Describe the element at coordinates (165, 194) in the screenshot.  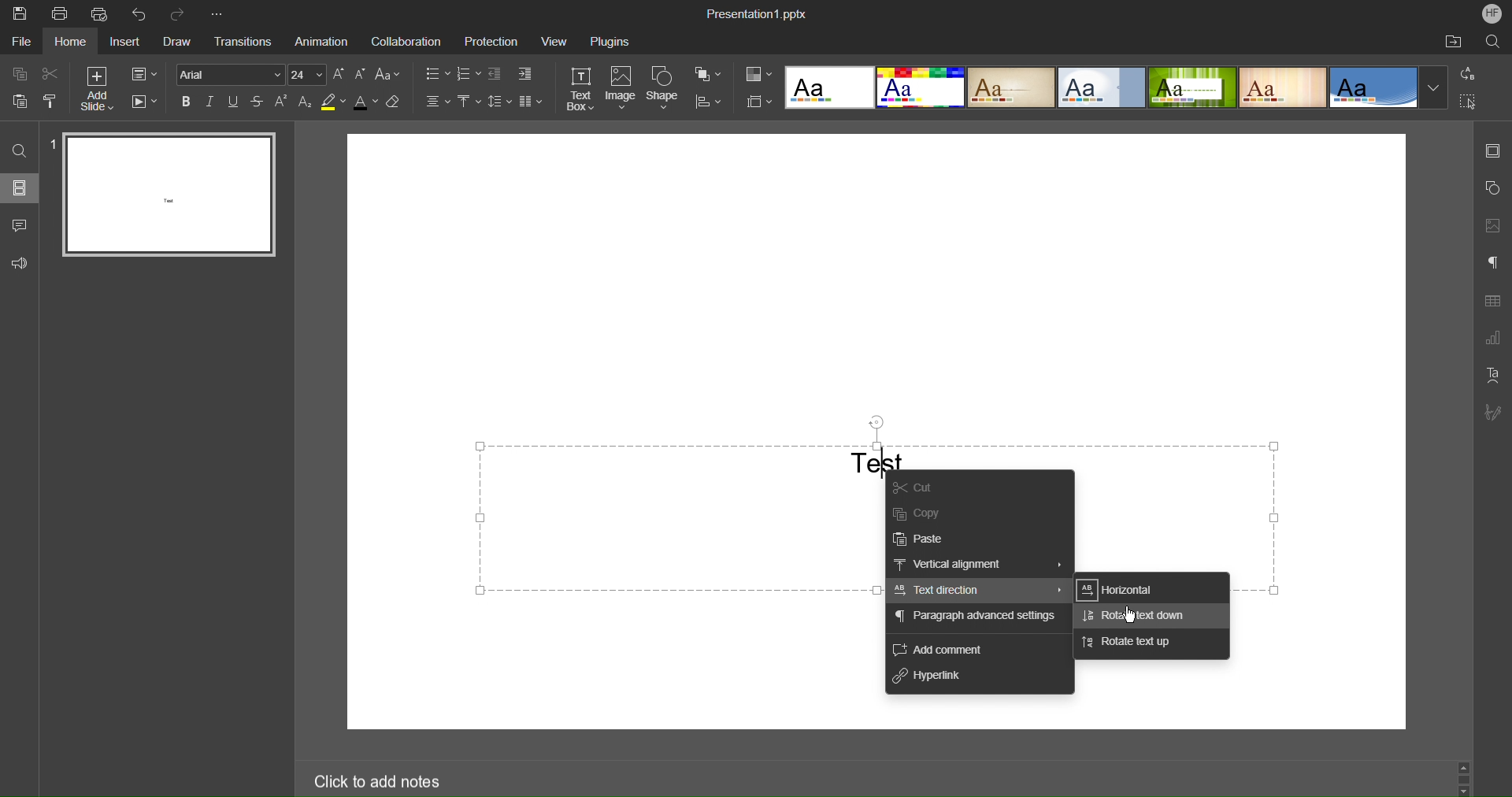
I see `Slide 1` at that location.